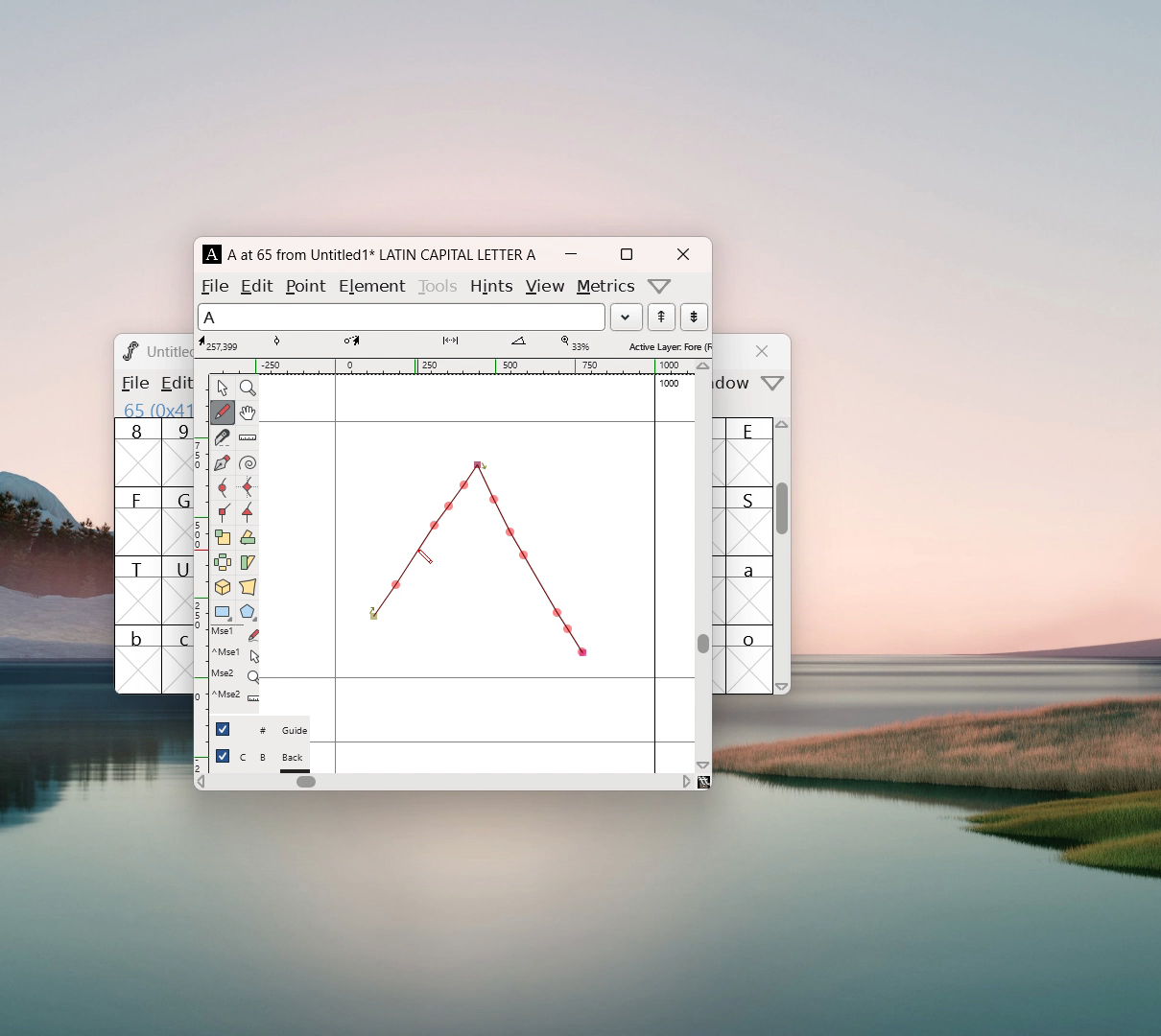  What do you see at coordinates (222, 511) in the screenshot?
I see `add a corner point` at bounding box center [222, 511].